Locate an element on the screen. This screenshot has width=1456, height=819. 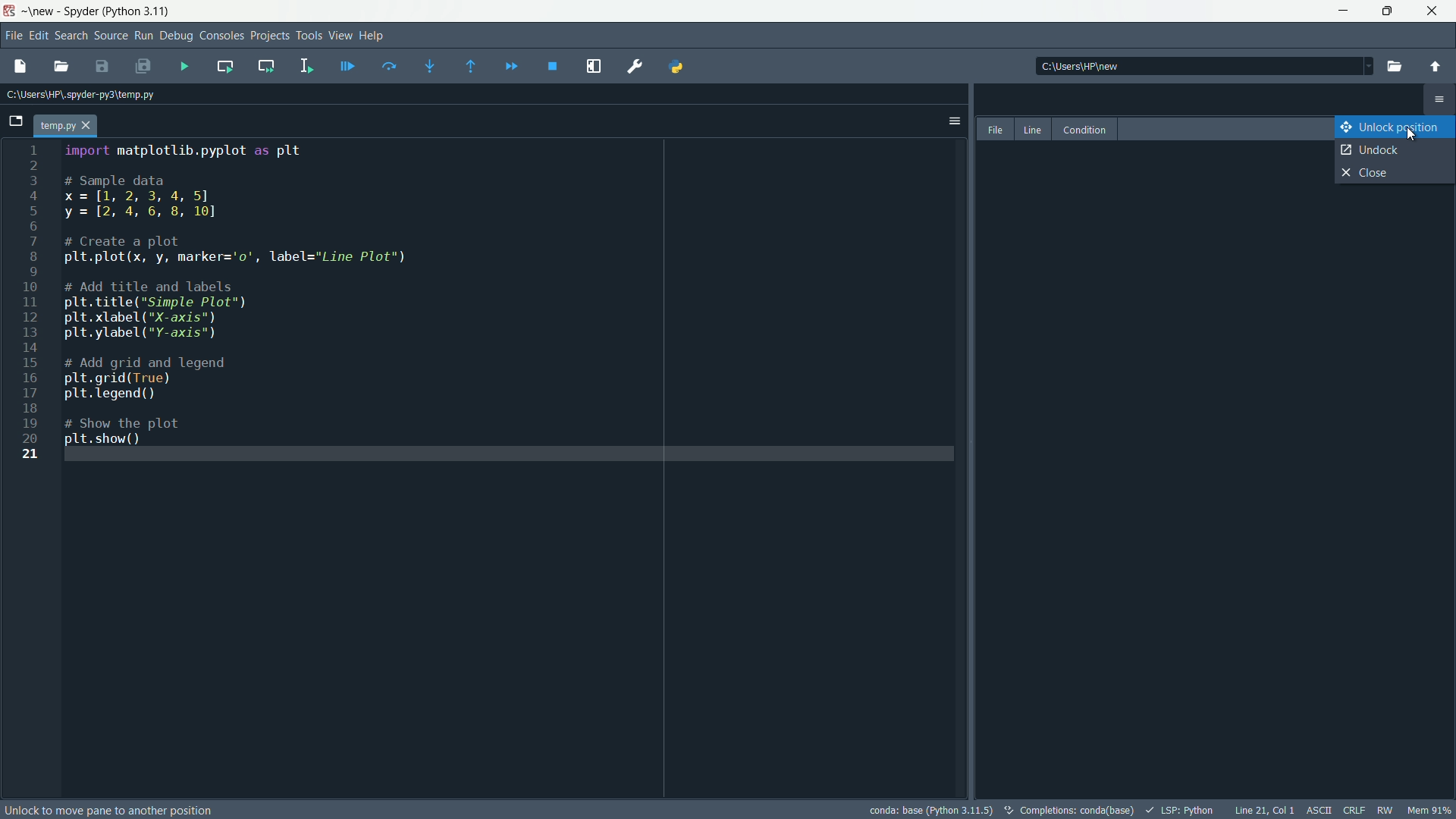
new is located at coordinates (41, 11).